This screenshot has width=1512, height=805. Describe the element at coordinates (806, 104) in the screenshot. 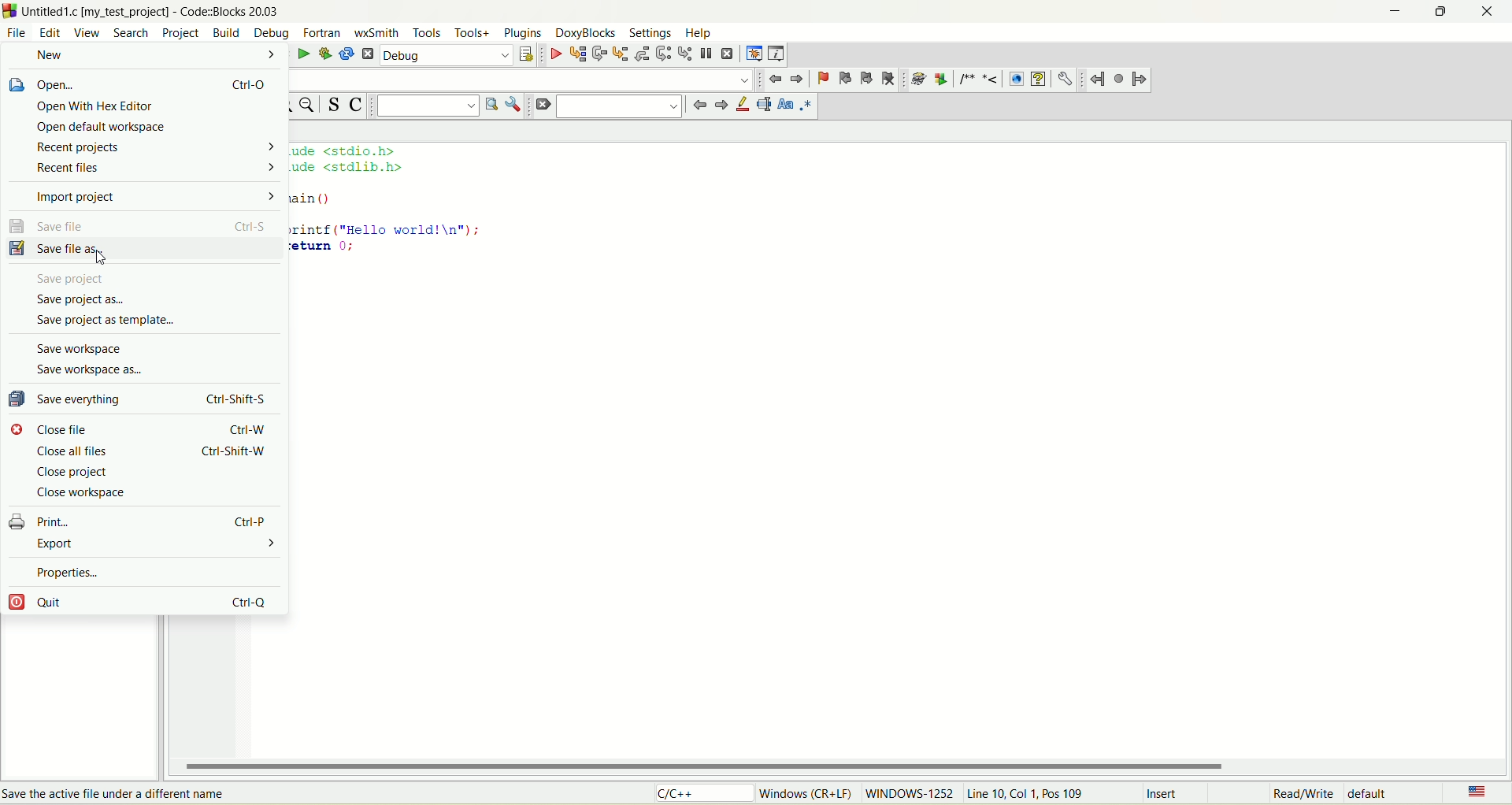

I see `regex` at that location.